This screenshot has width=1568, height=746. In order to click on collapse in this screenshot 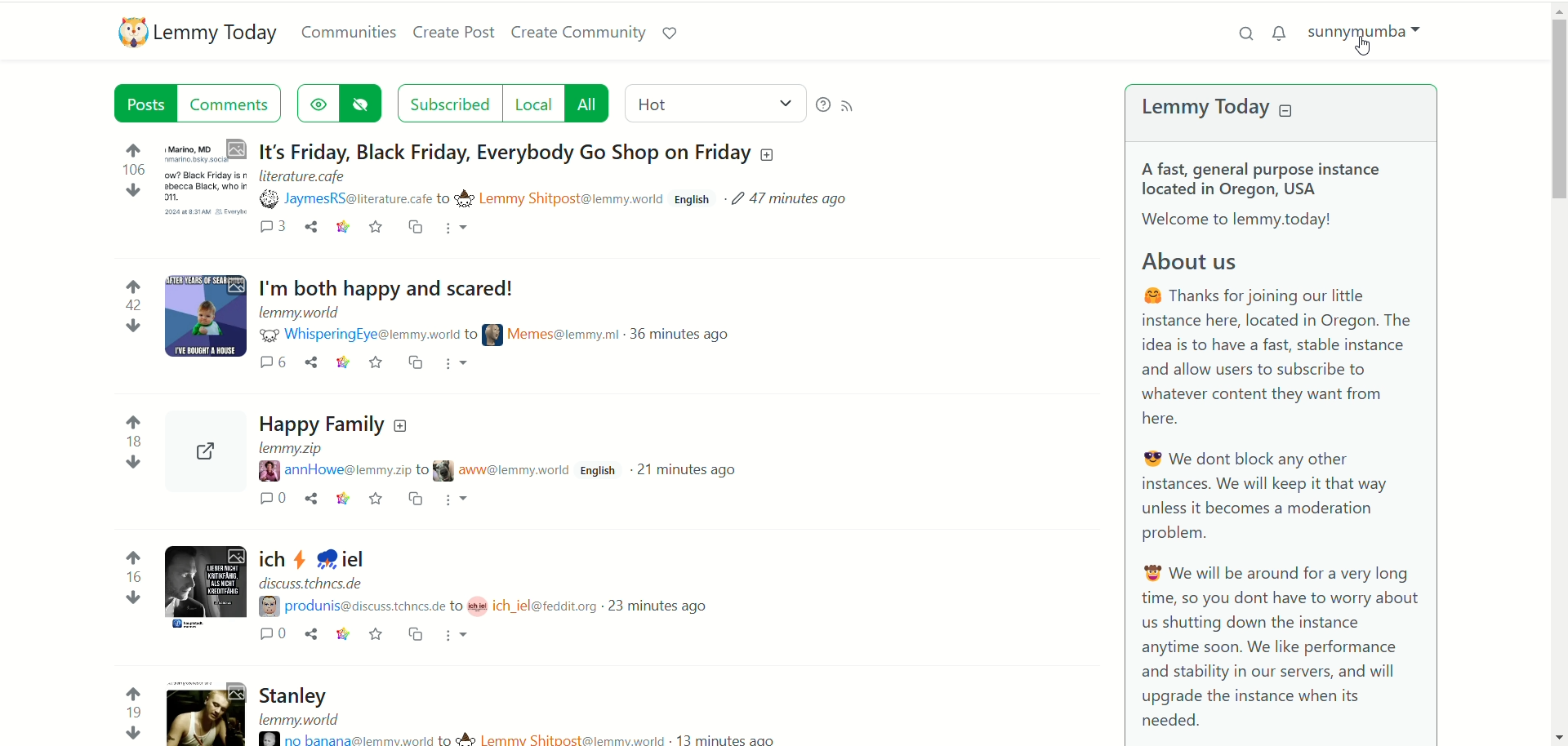, I will do `click(1290, 112)`.